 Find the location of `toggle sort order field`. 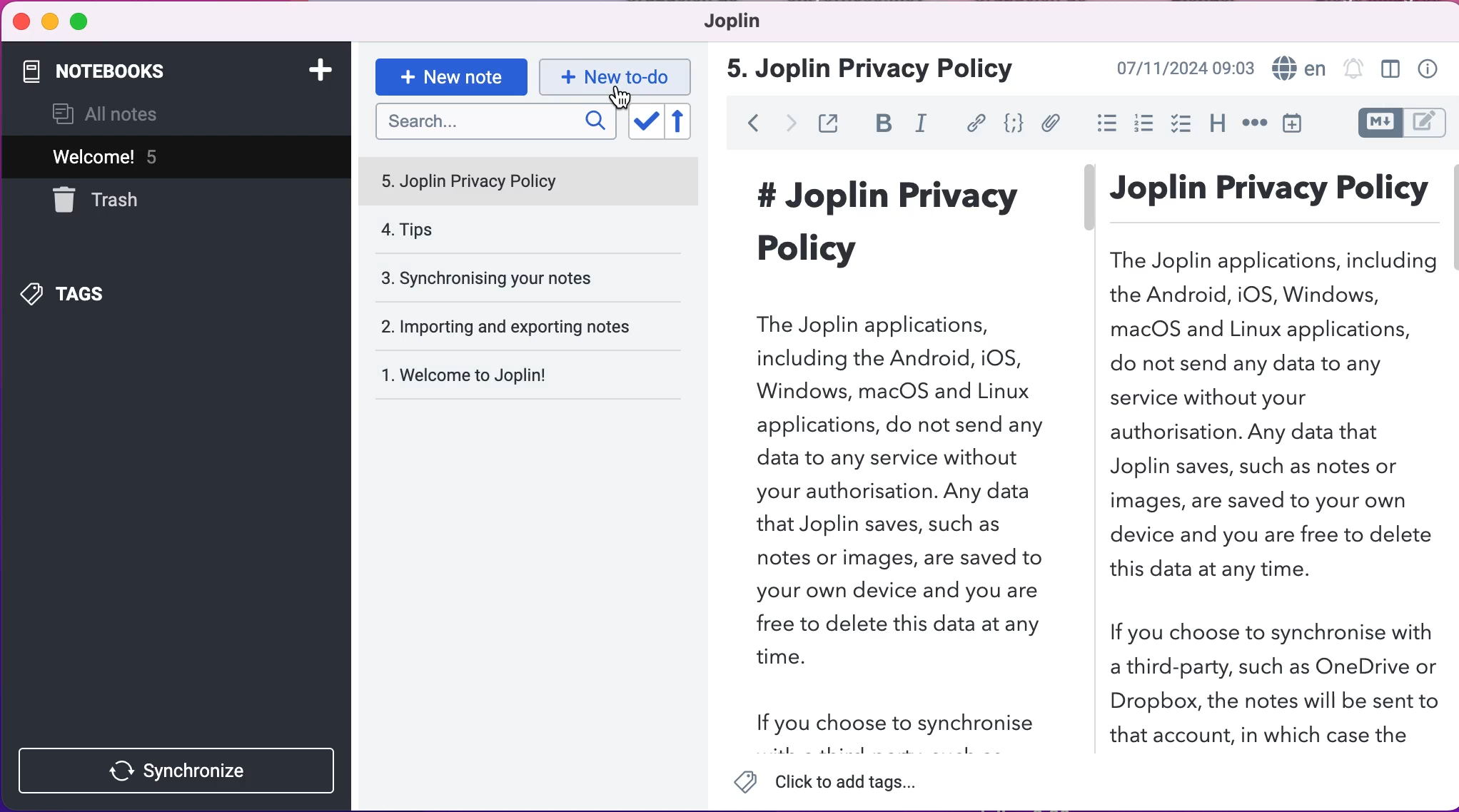

toggle sort order field is located at coordinates (644, 122).